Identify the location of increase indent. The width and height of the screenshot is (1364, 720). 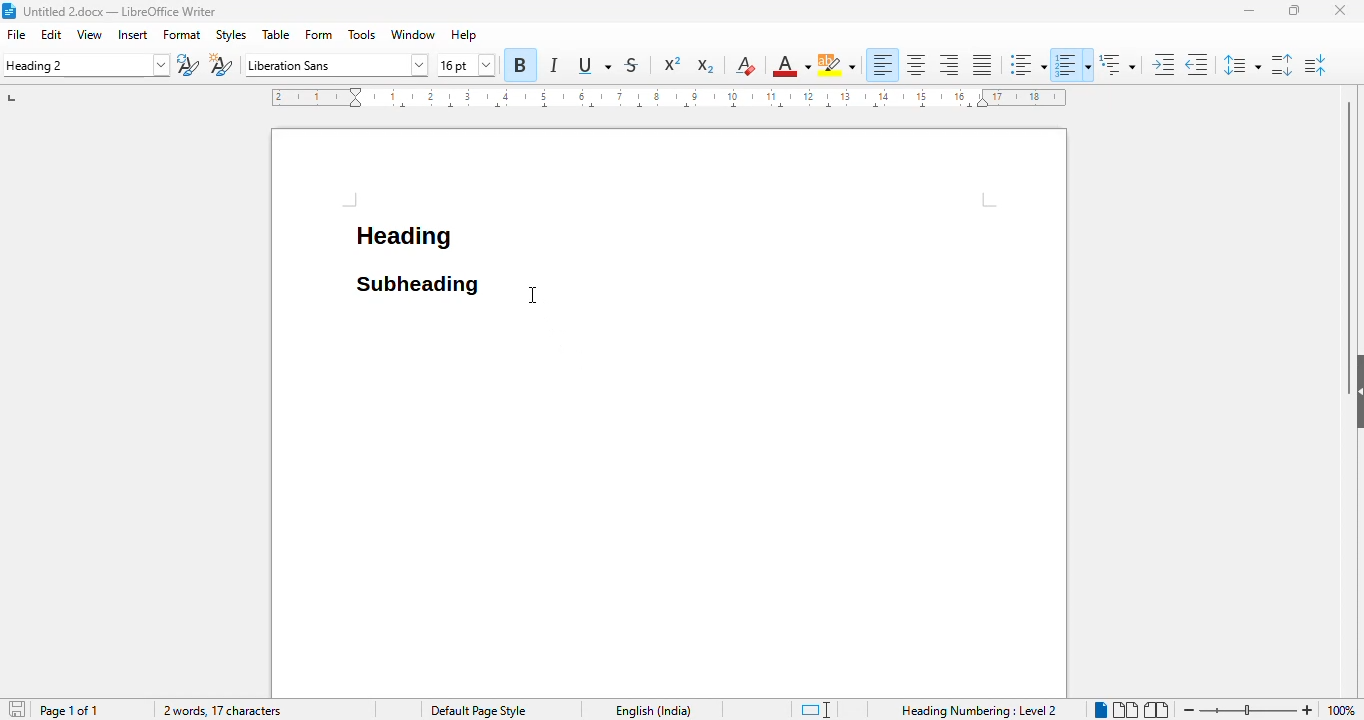
(1164, 64).